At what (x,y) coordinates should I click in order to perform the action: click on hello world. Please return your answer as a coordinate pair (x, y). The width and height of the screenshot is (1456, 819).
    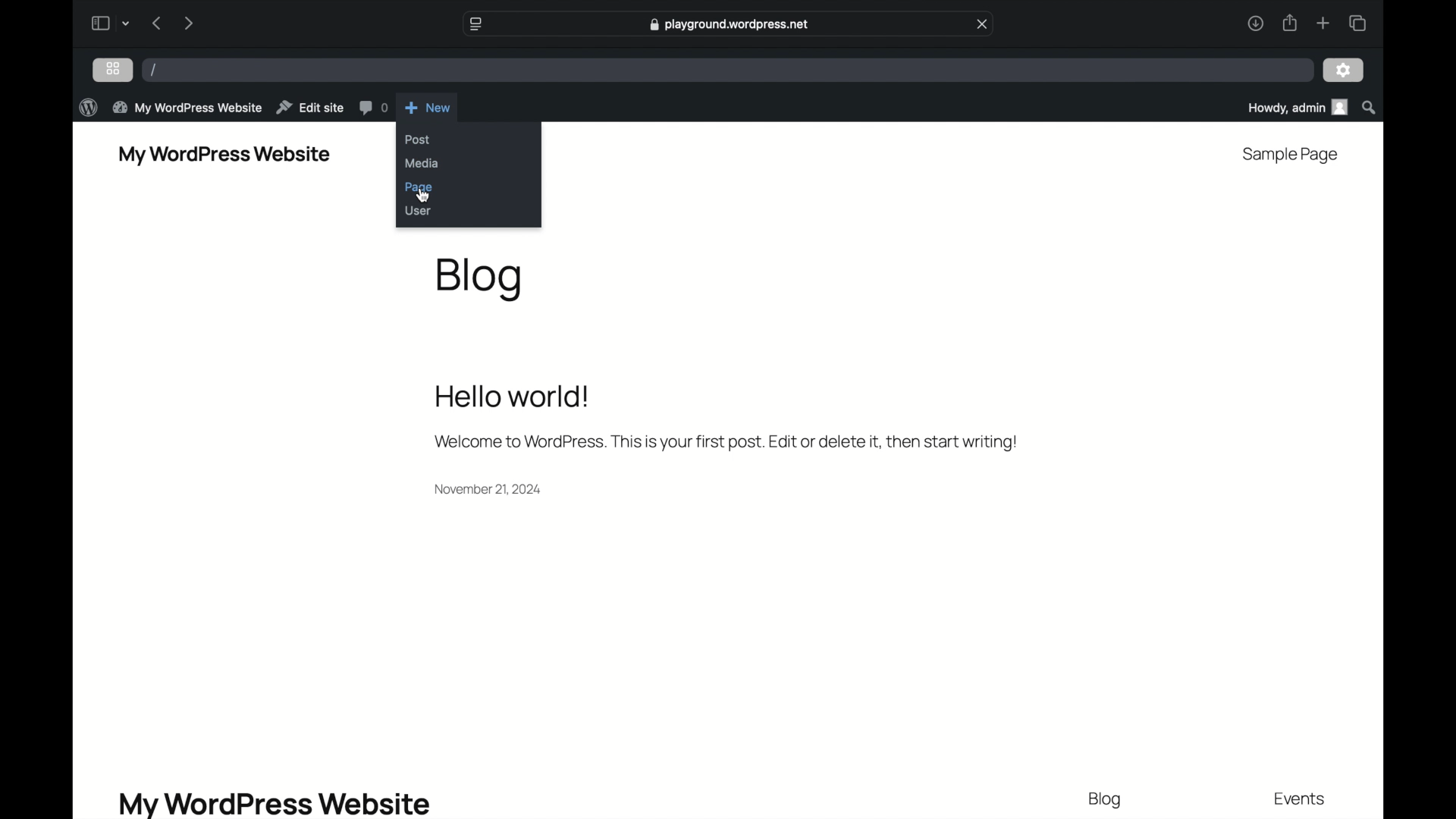
    Looking at the image, I should click on (513, 396).